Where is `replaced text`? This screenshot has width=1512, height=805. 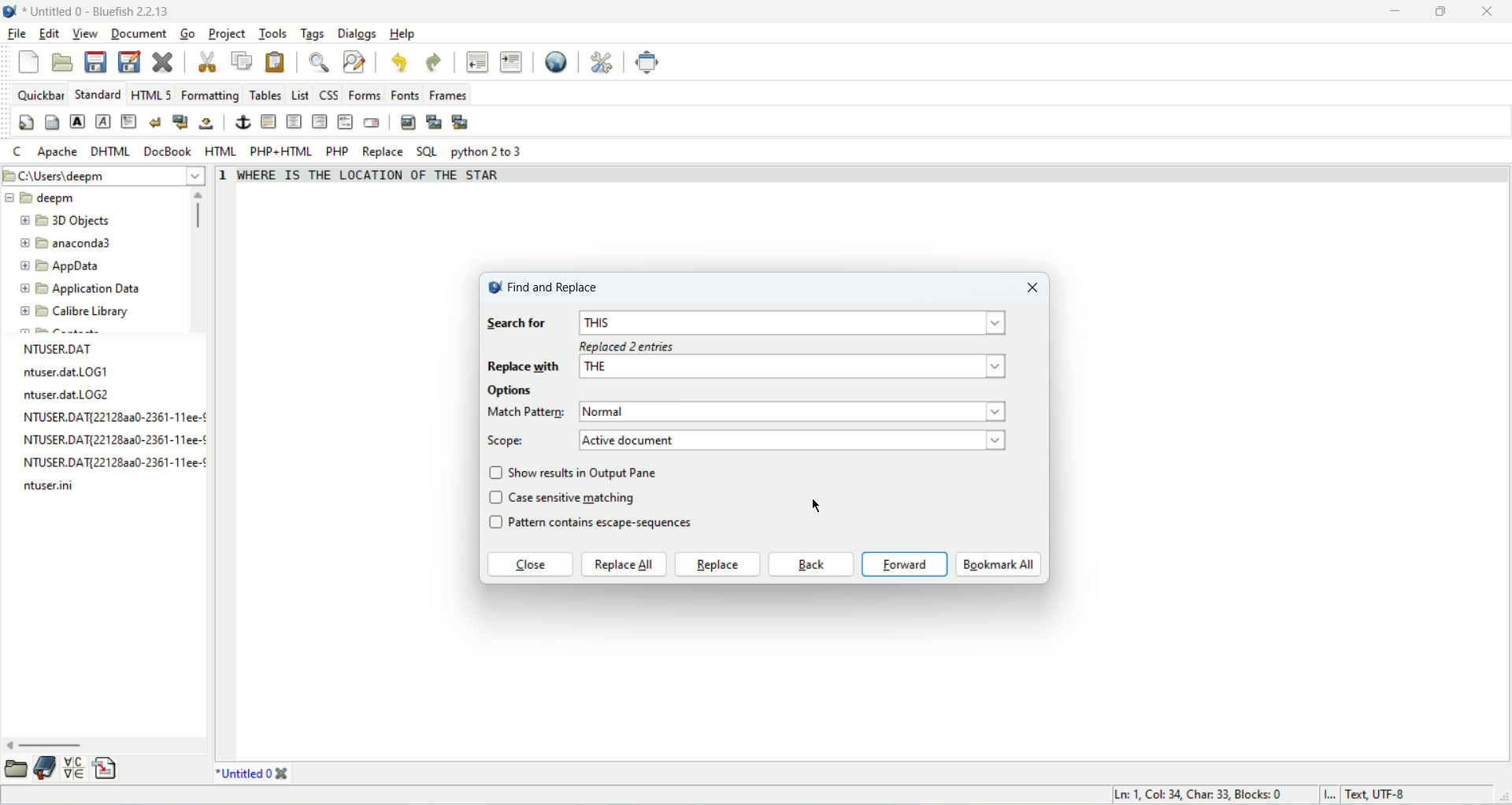
replaced text is located at coordinates (372, 180).